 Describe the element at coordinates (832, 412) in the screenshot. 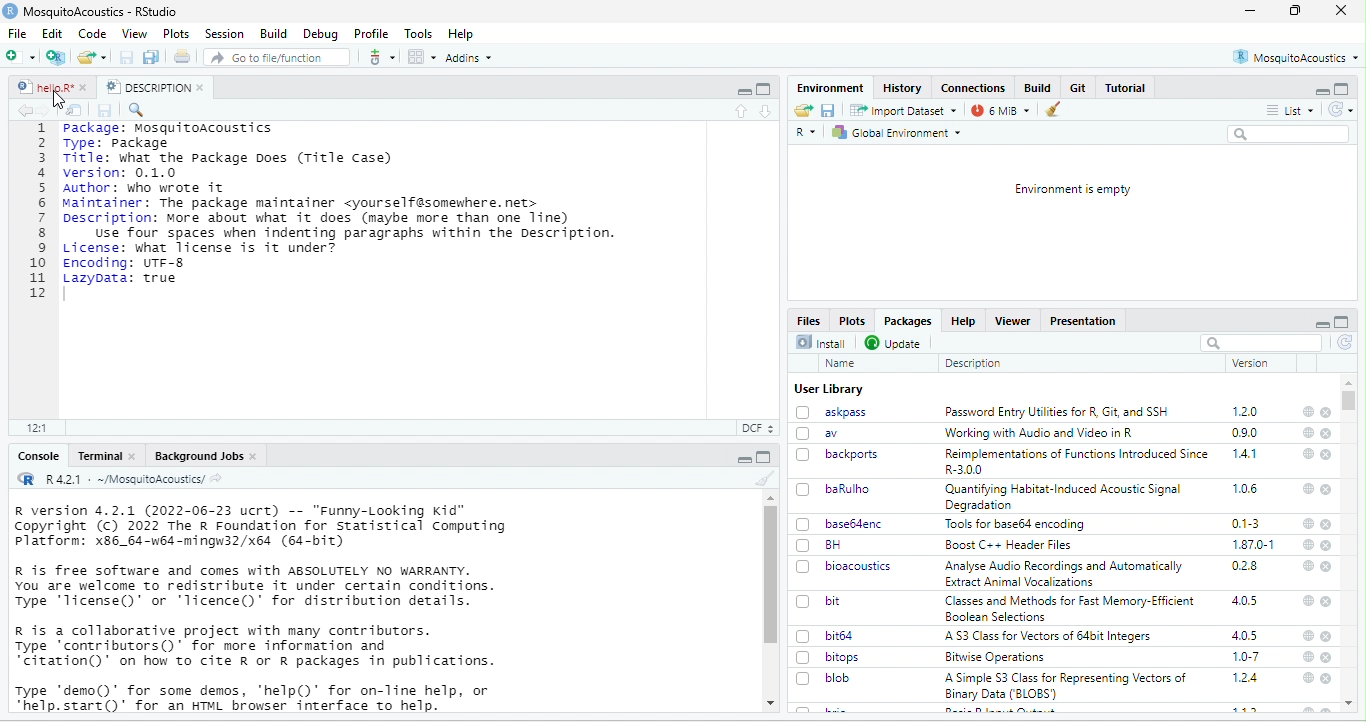

I see `askpass` at that location.